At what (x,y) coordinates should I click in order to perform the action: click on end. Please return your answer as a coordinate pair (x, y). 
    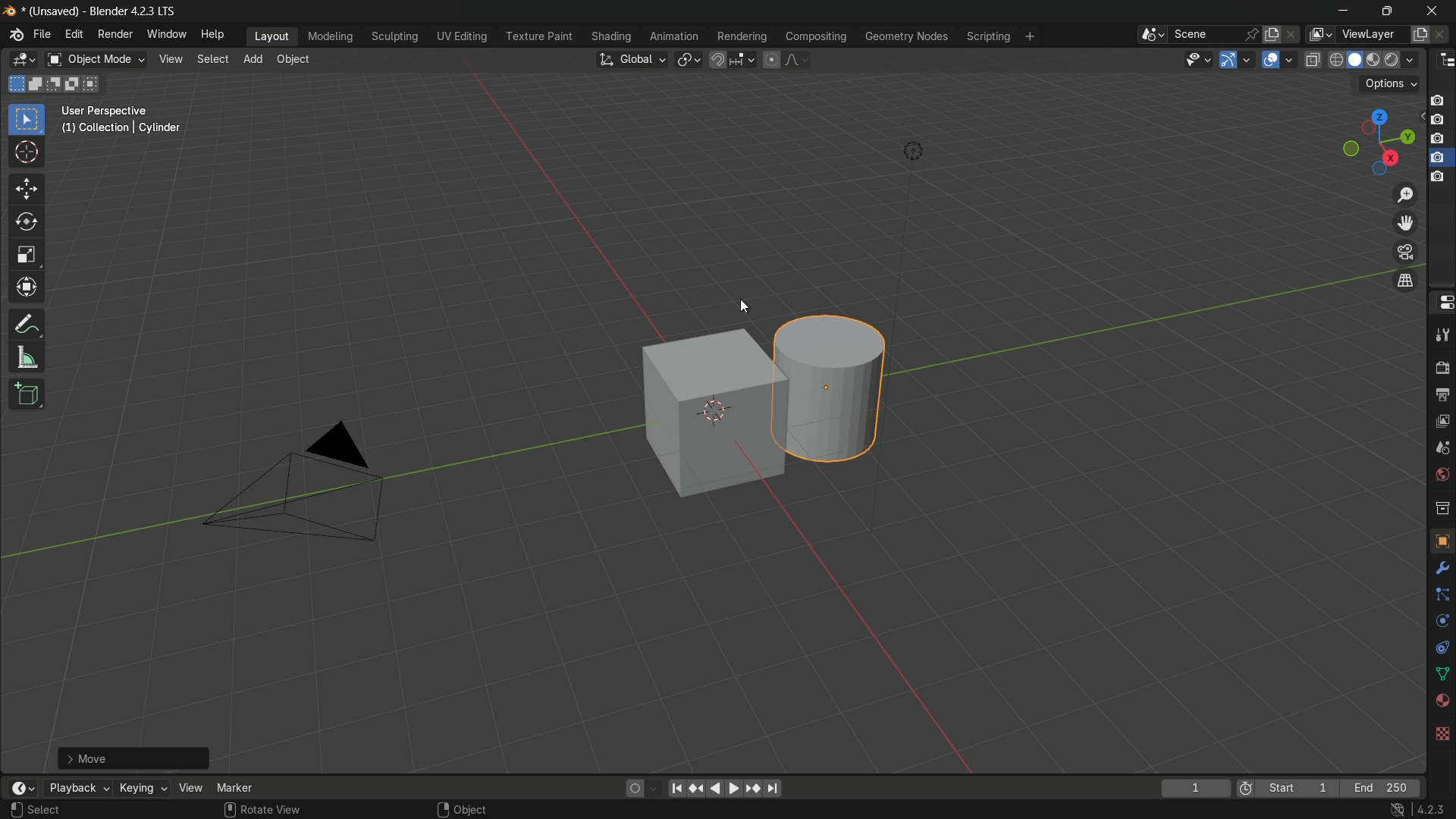
    Looking at the image, I should click on (1386, 787).